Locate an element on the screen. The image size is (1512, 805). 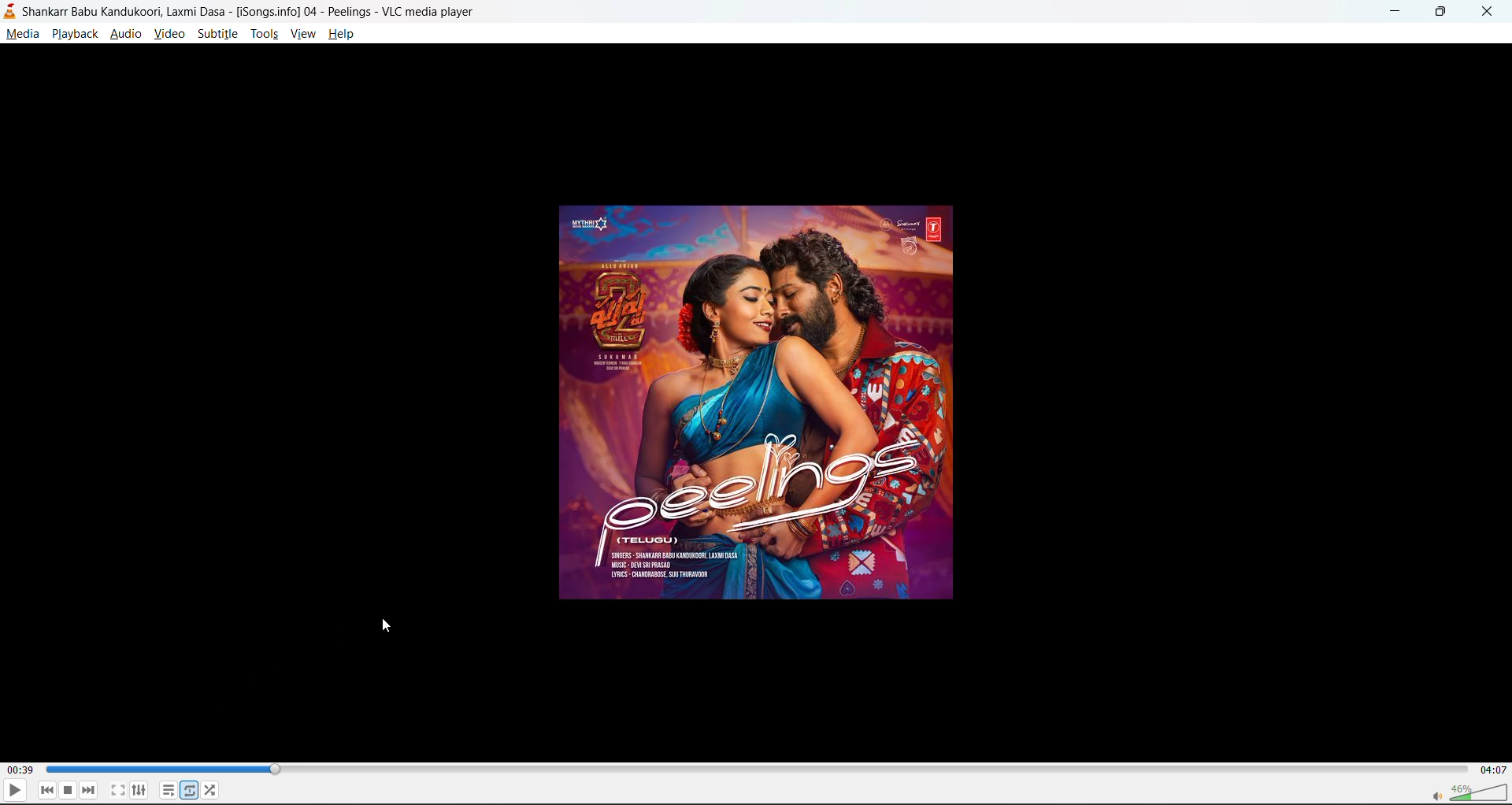
view is located at coordinates (301, 35).